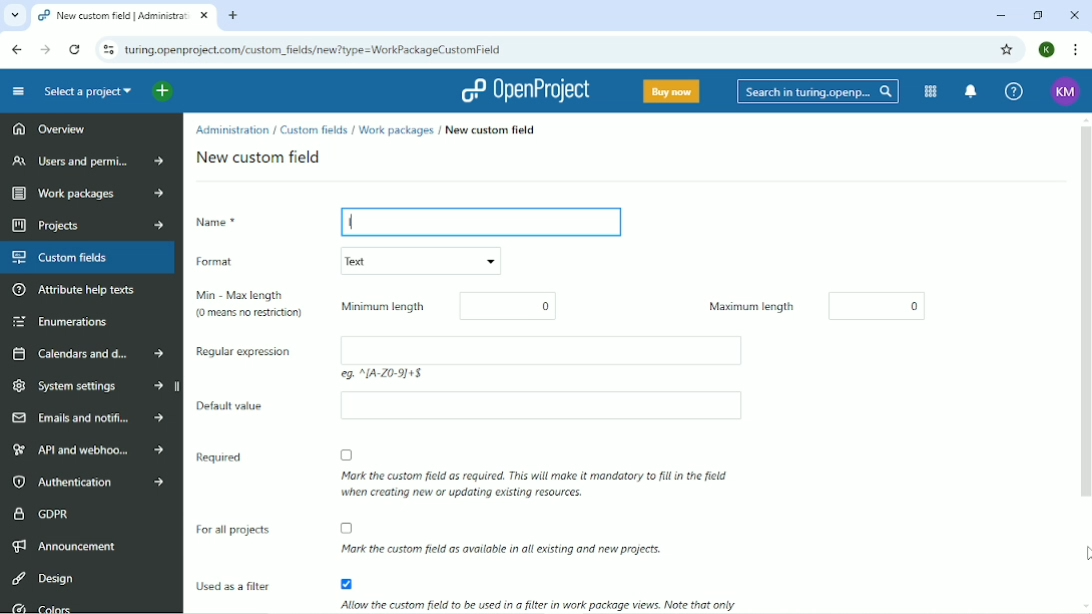  What do you see at coordinates (1074, 49) in the screenshot?
I see `Customize and control google chrome` at bounding box center [1074, 49].